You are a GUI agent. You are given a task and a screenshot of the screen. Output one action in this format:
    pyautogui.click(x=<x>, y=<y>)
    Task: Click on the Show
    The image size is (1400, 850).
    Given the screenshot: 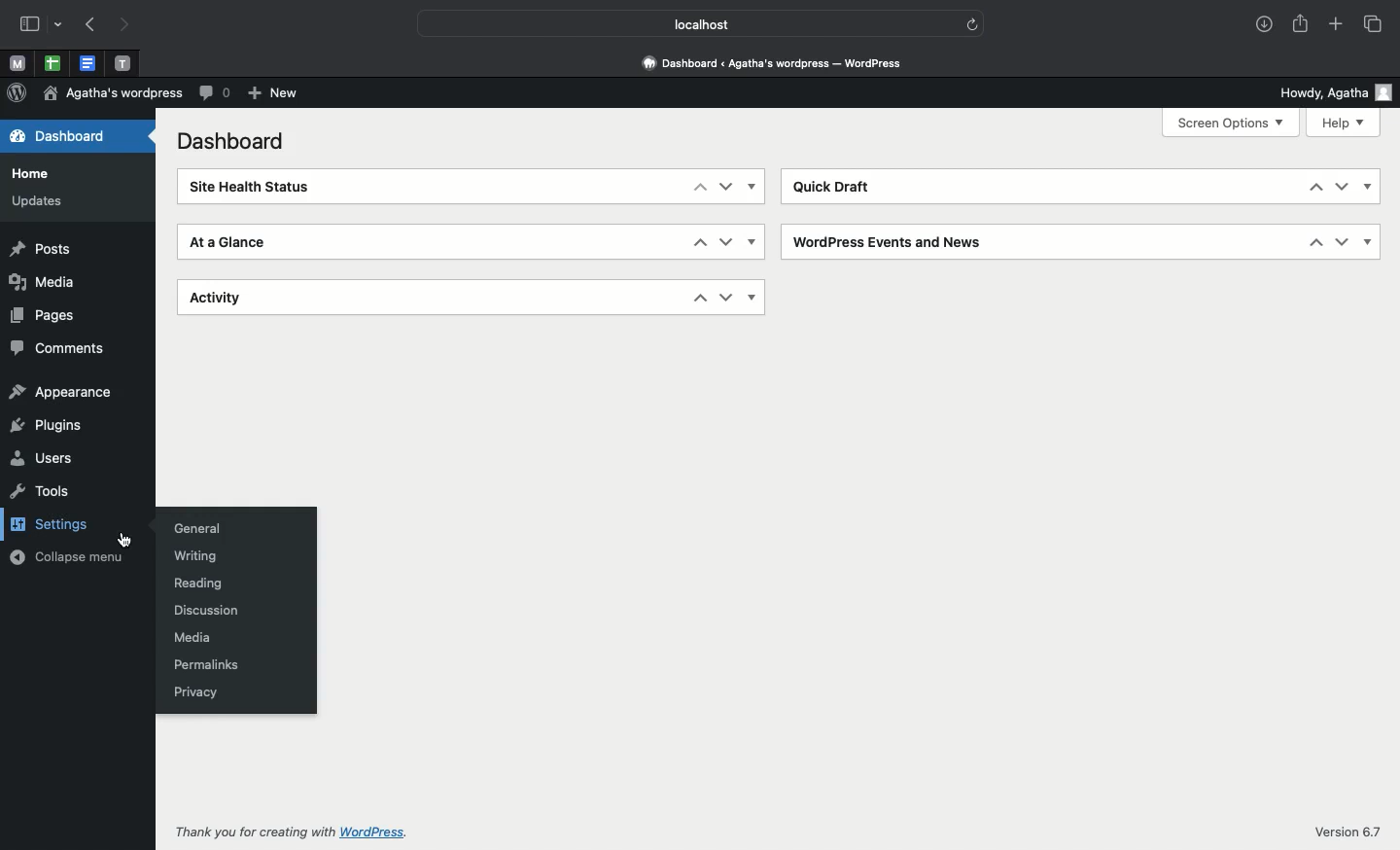 What is the action you would take?
    pyautogui.click(x=755, y=297)
    